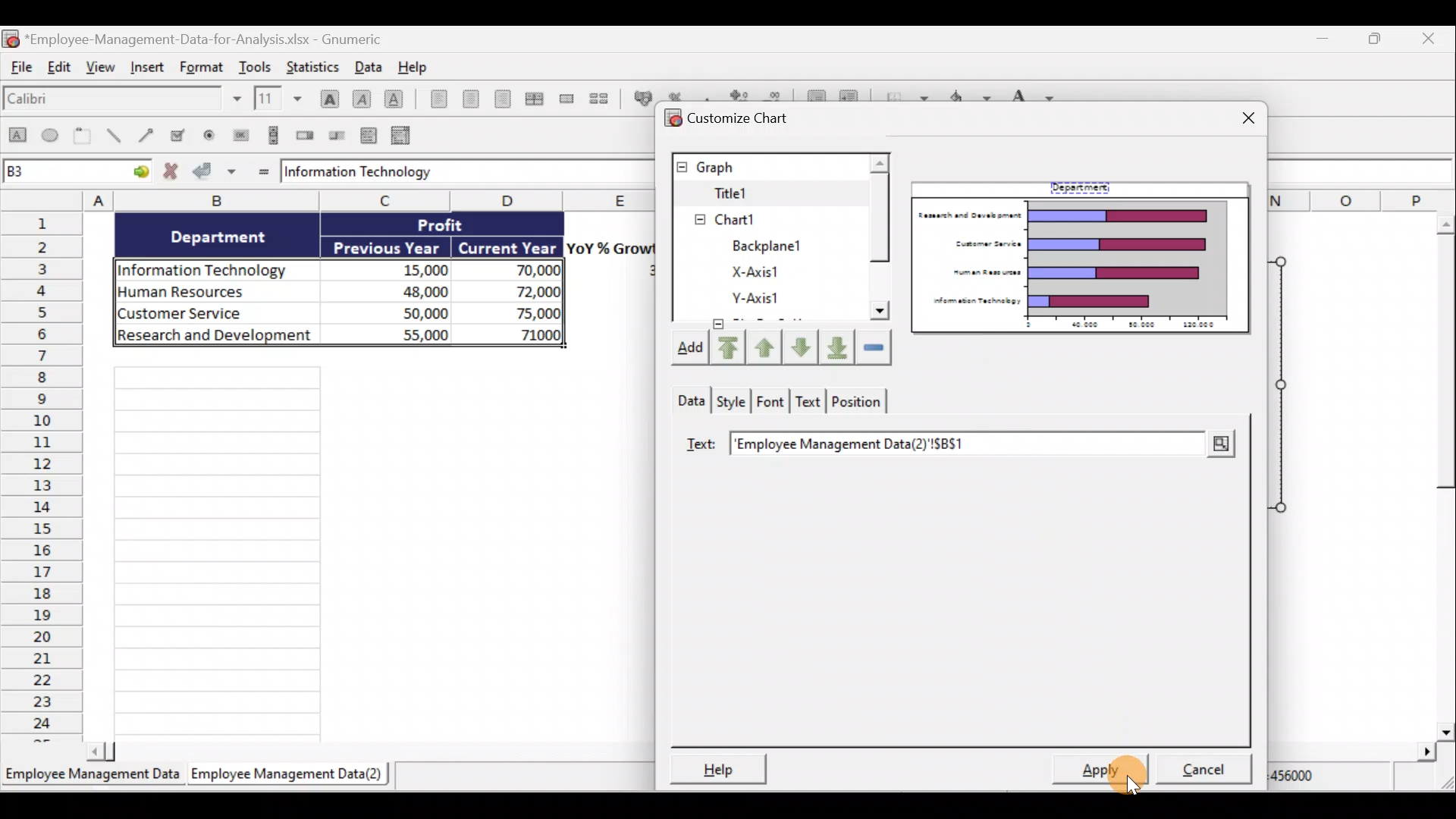 This screenshot has width=1456, height=819. What do you see at coordinates (1209, 772) in the screenshot?
I see `Cancel` at bounding box center [1209, 772].